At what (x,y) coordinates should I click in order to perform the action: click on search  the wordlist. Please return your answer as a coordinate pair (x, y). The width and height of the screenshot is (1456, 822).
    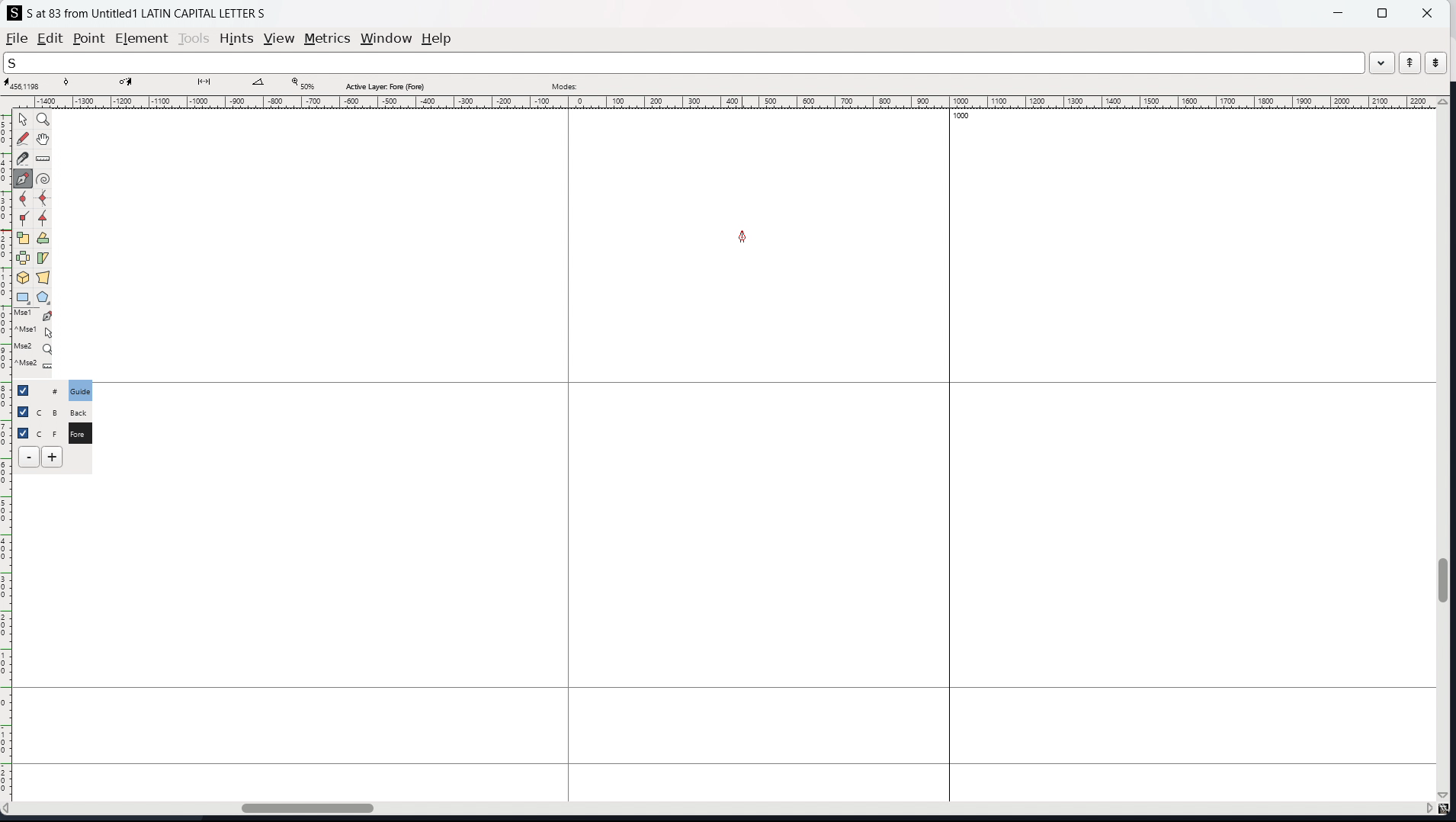
    Looking at the image, I should click on (684, 63).